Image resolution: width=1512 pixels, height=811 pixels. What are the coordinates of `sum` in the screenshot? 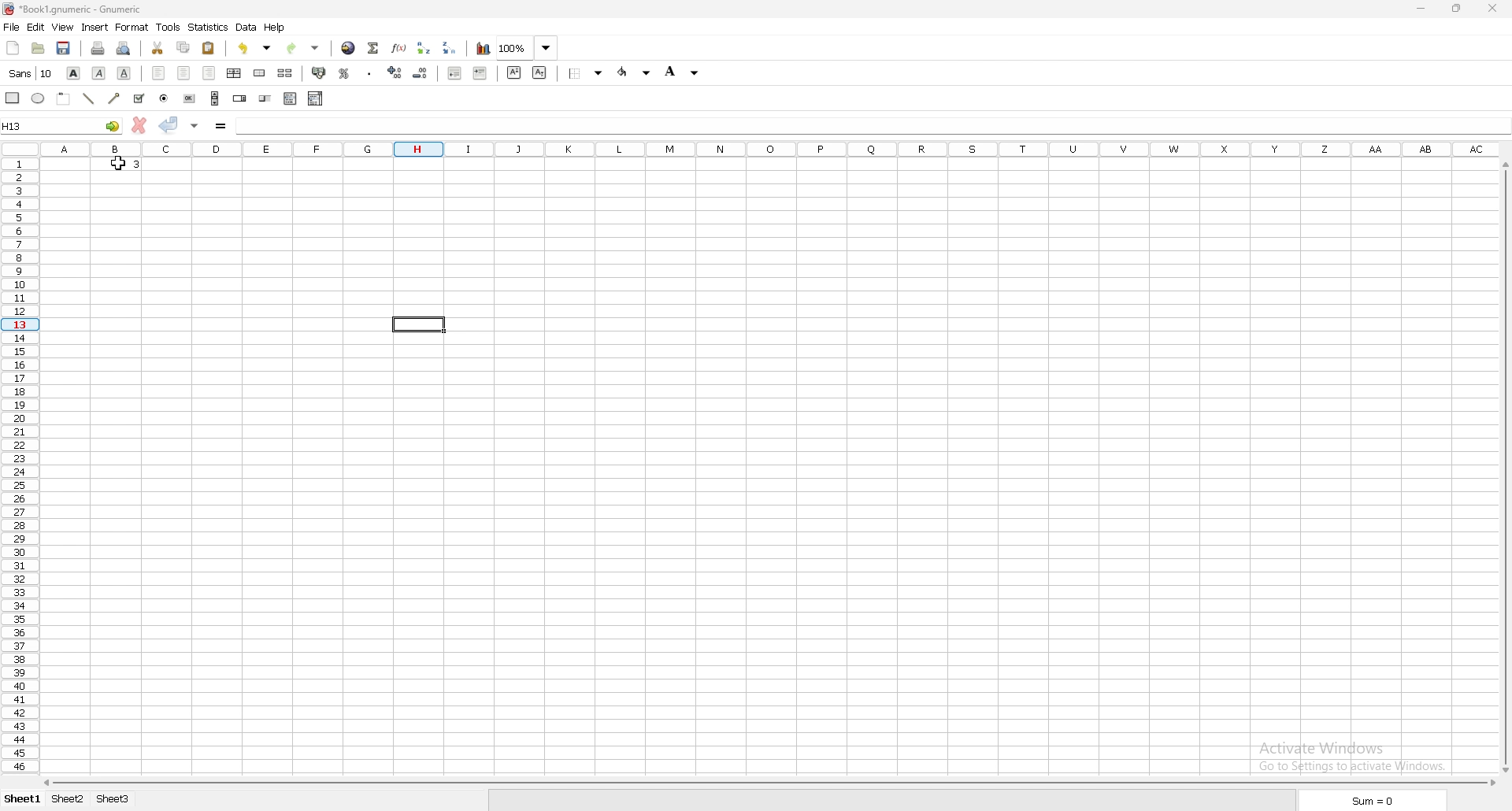 It's located at (1373, 801).